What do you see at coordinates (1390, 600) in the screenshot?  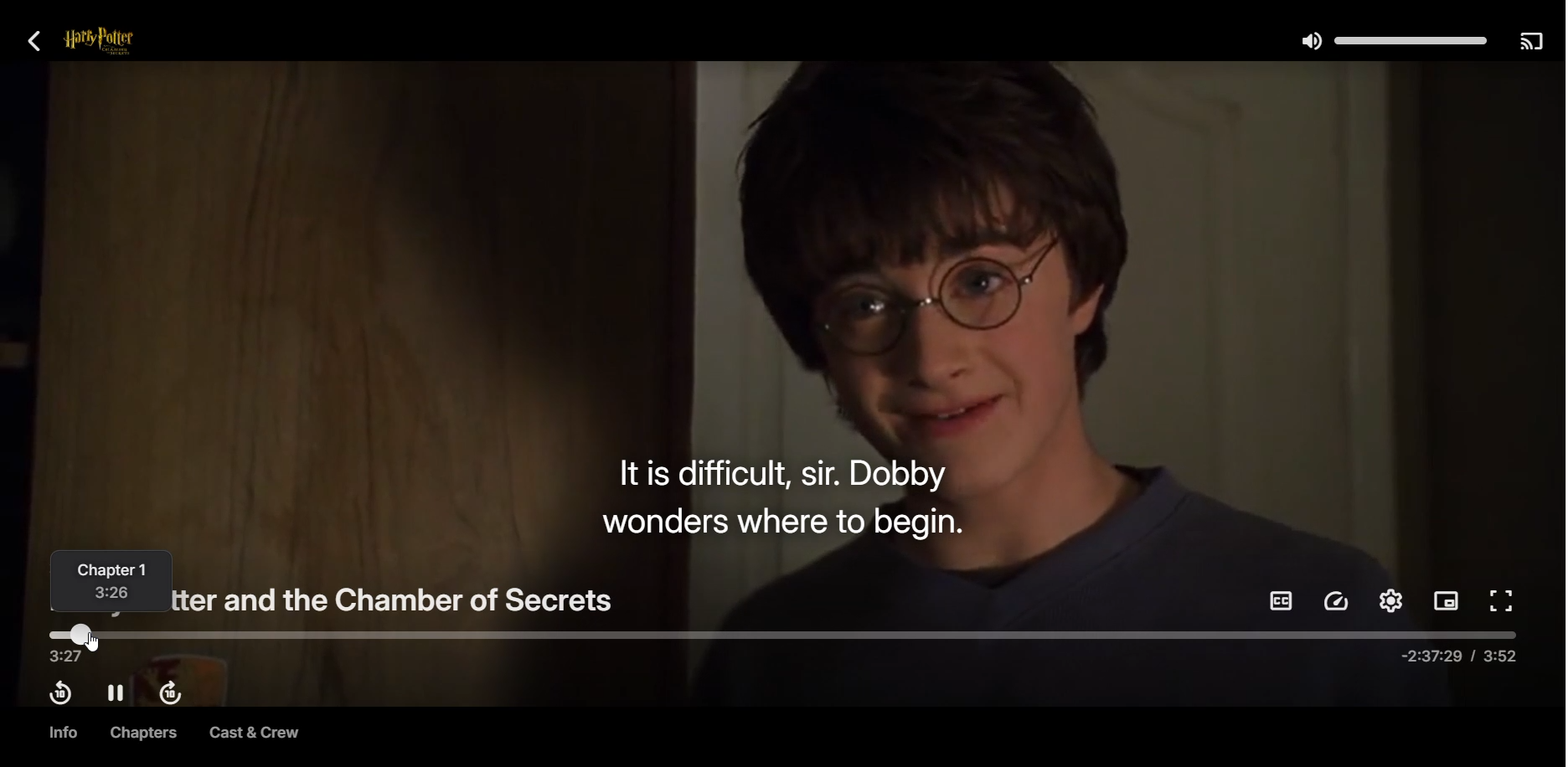 I see `Settings` at bounding box center [1390, 600].